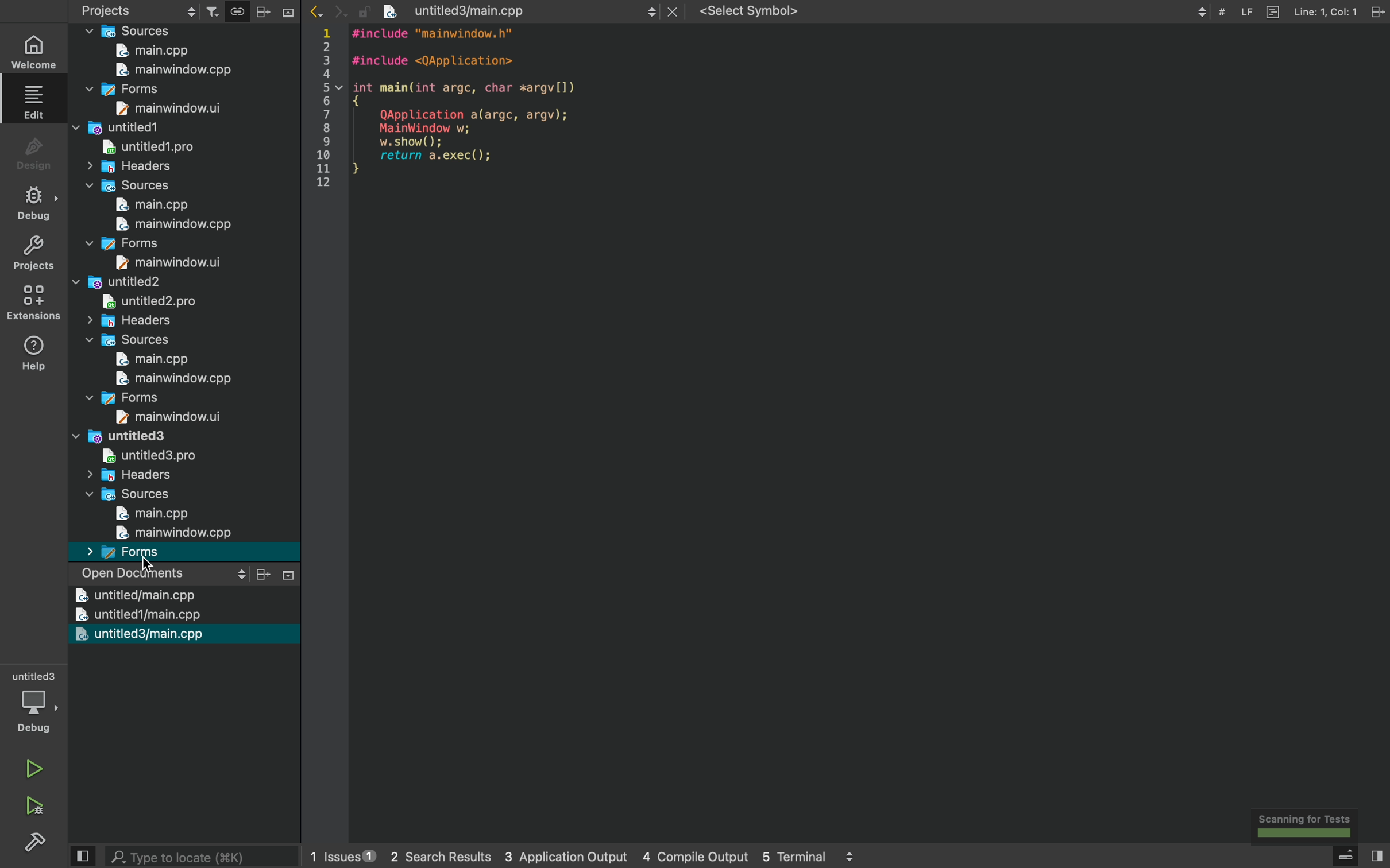 This screenshot has width=1390, height=868. I want to click on debug, so click(37, 704).